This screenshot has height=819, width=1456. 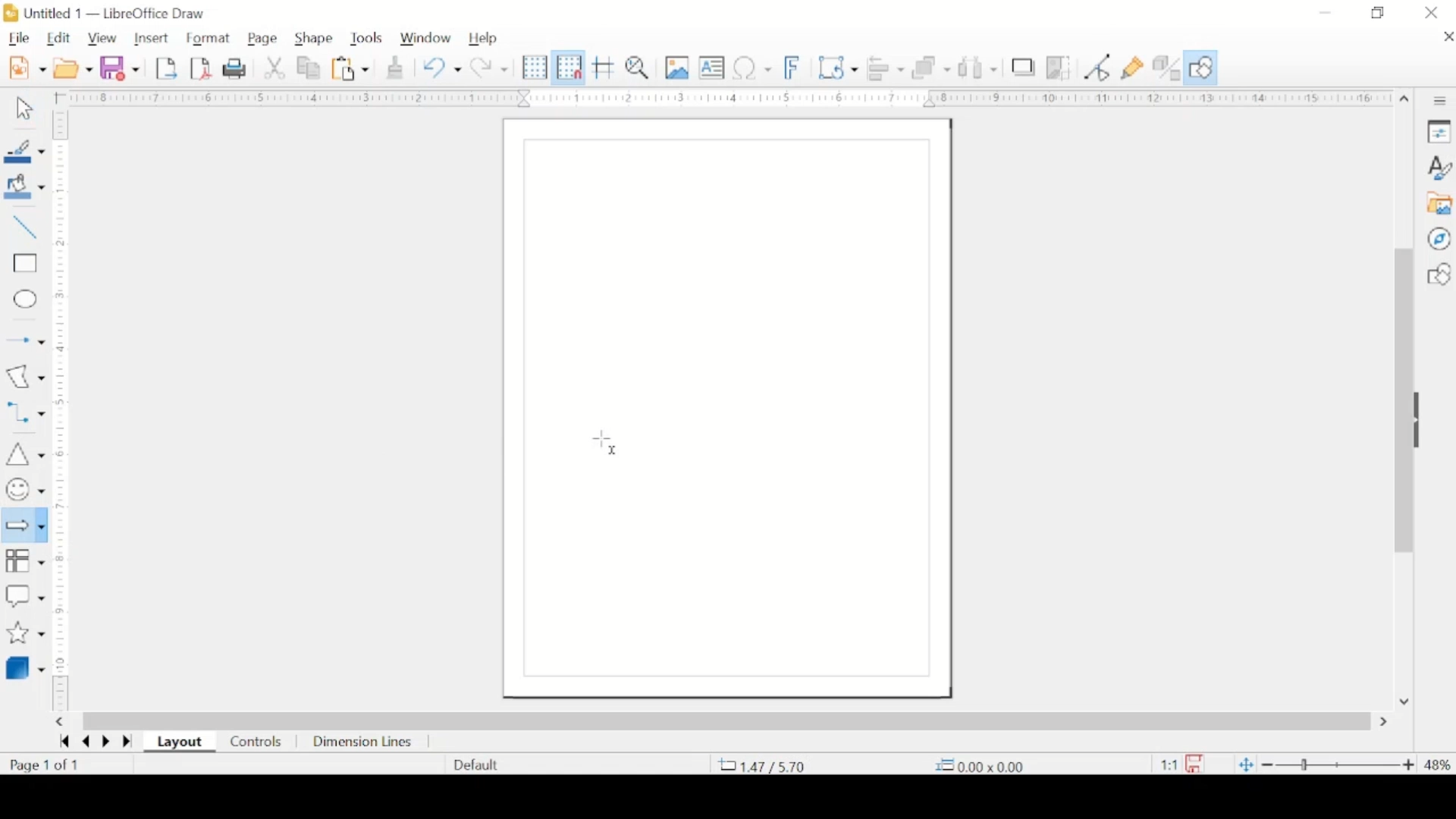 I want to click on controls, so click(x=257, y=742).